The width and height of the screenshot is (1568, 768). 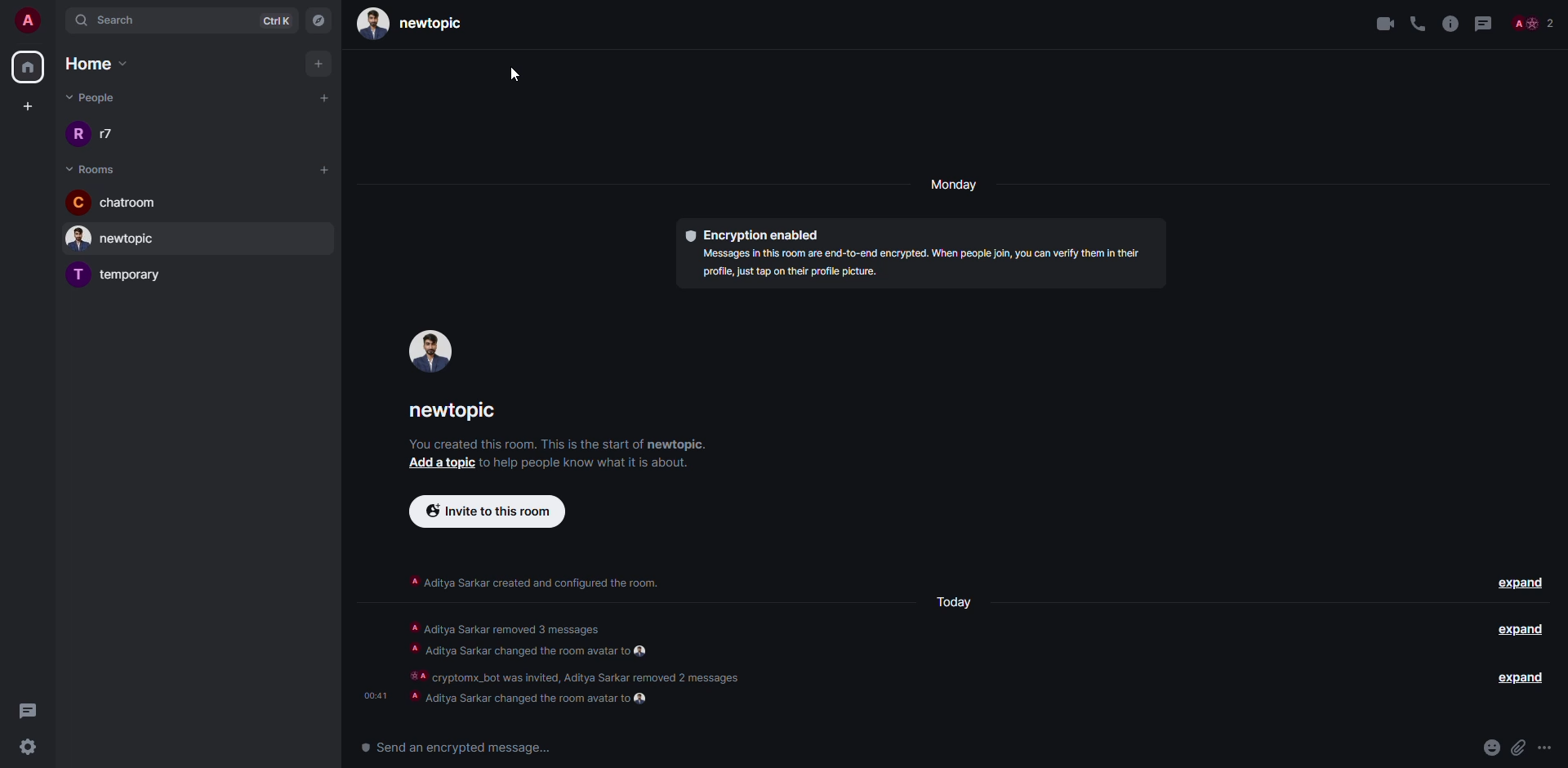 I want to click on people, so click(x=1534, y=22).